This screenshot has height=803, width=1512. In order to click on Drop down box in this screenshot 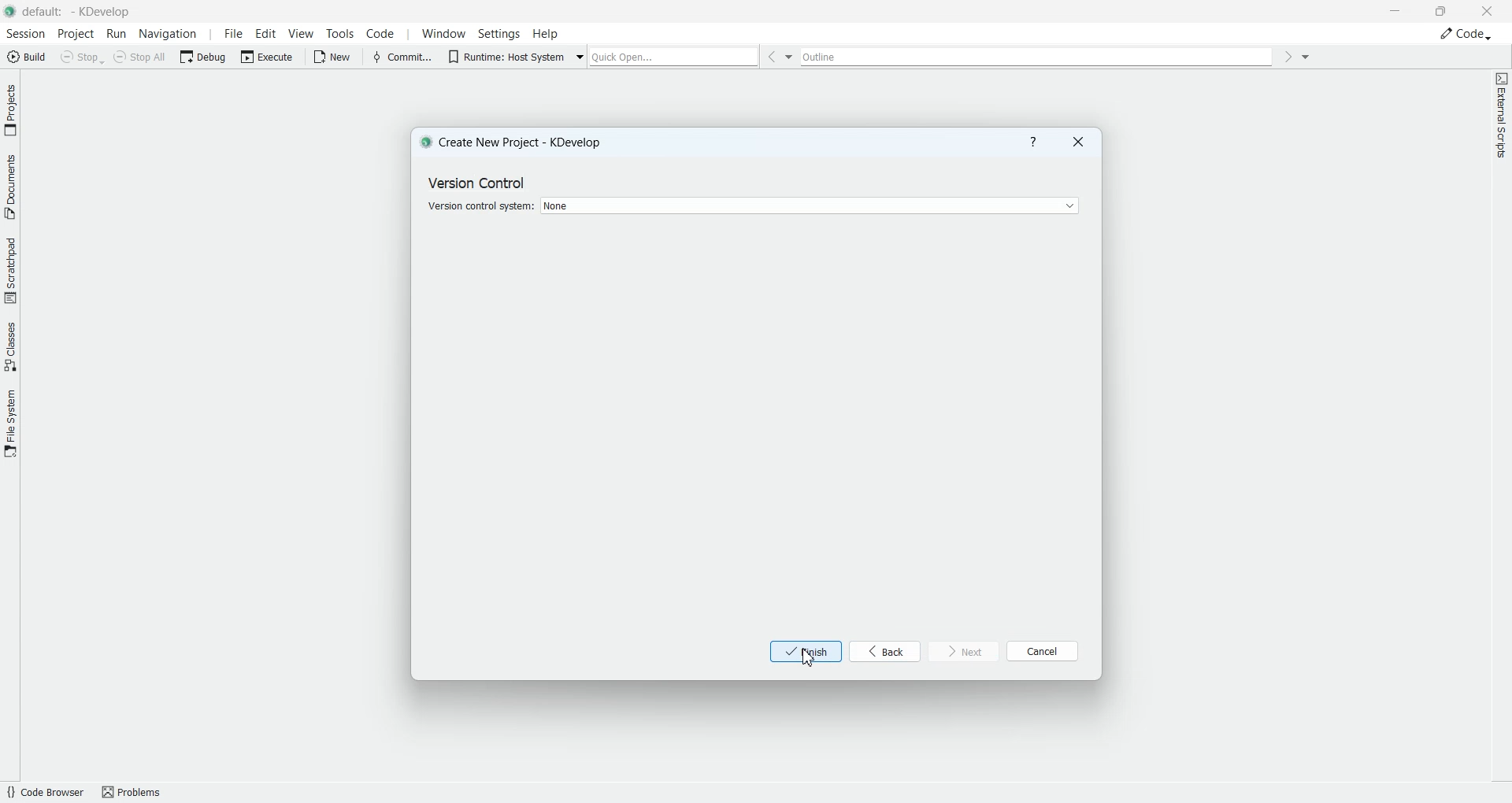, I will do `click(1306, 56)`.